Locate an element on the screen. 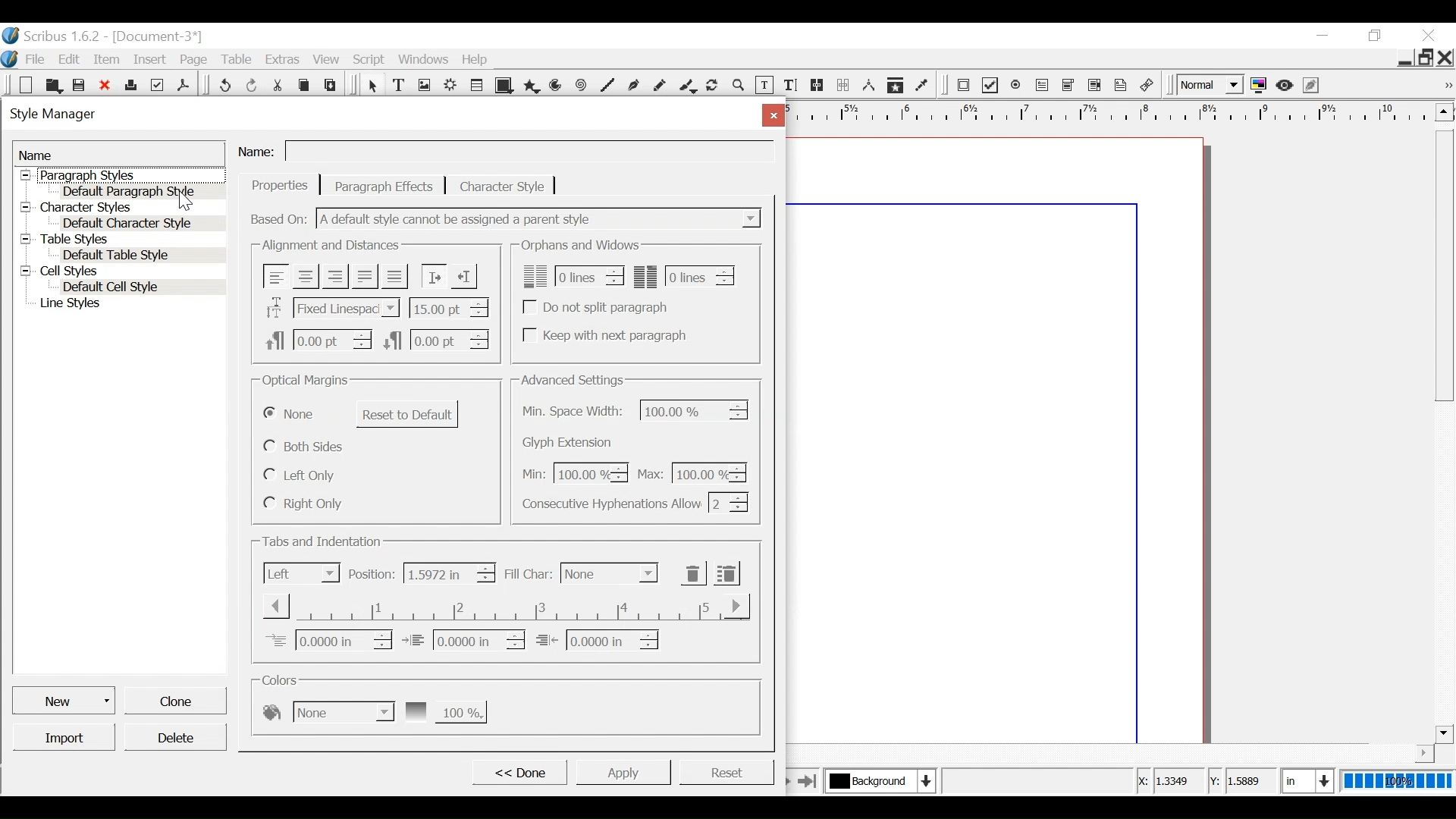 The image size is (1456, 819). Copy items properties is located at coordinates (895, 86).